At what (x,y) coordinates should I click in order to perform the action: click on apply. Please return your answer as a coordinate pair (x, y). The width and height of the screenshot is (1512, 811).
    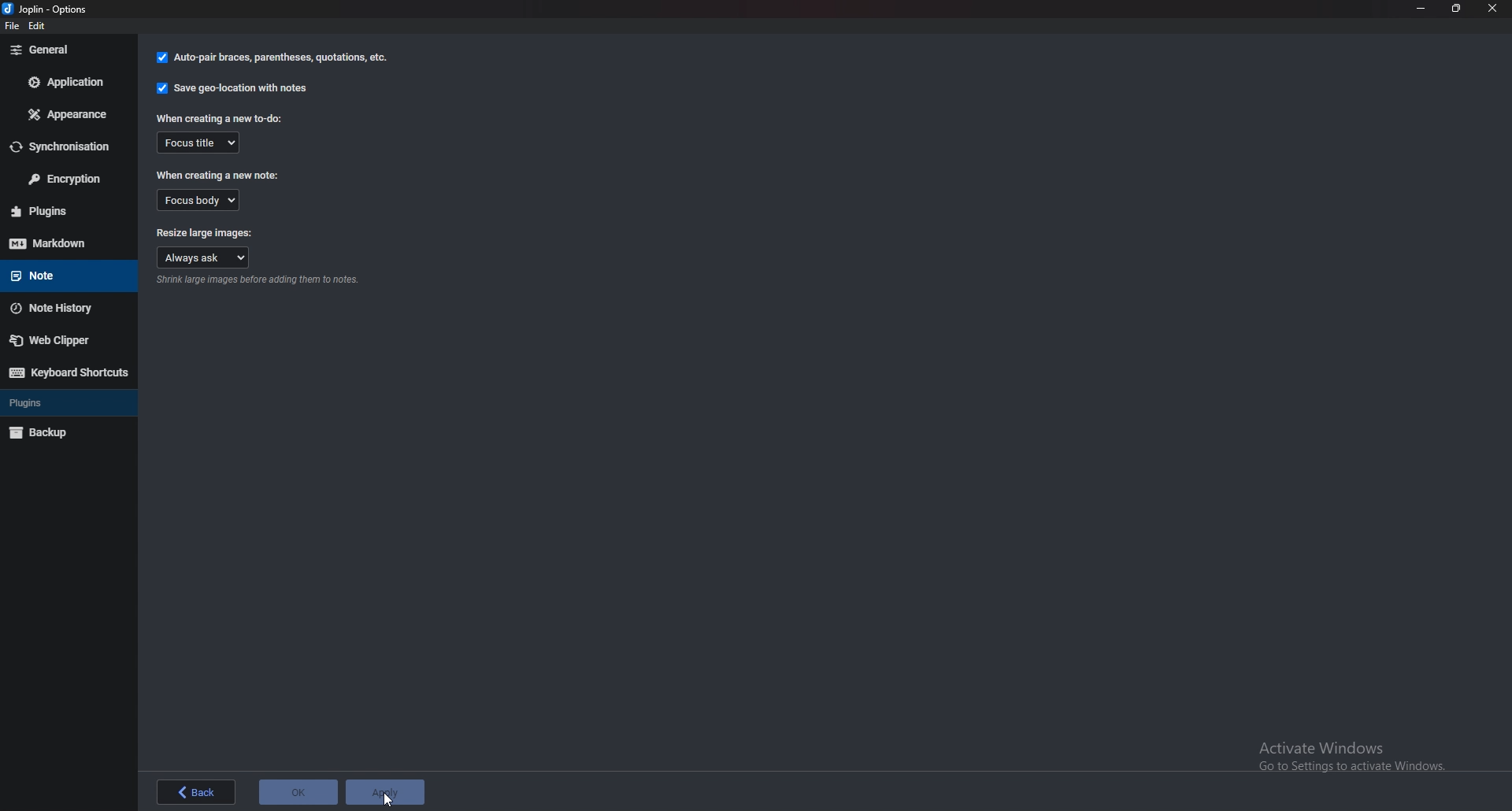
    Looking at the image, I should click on (387, 791).